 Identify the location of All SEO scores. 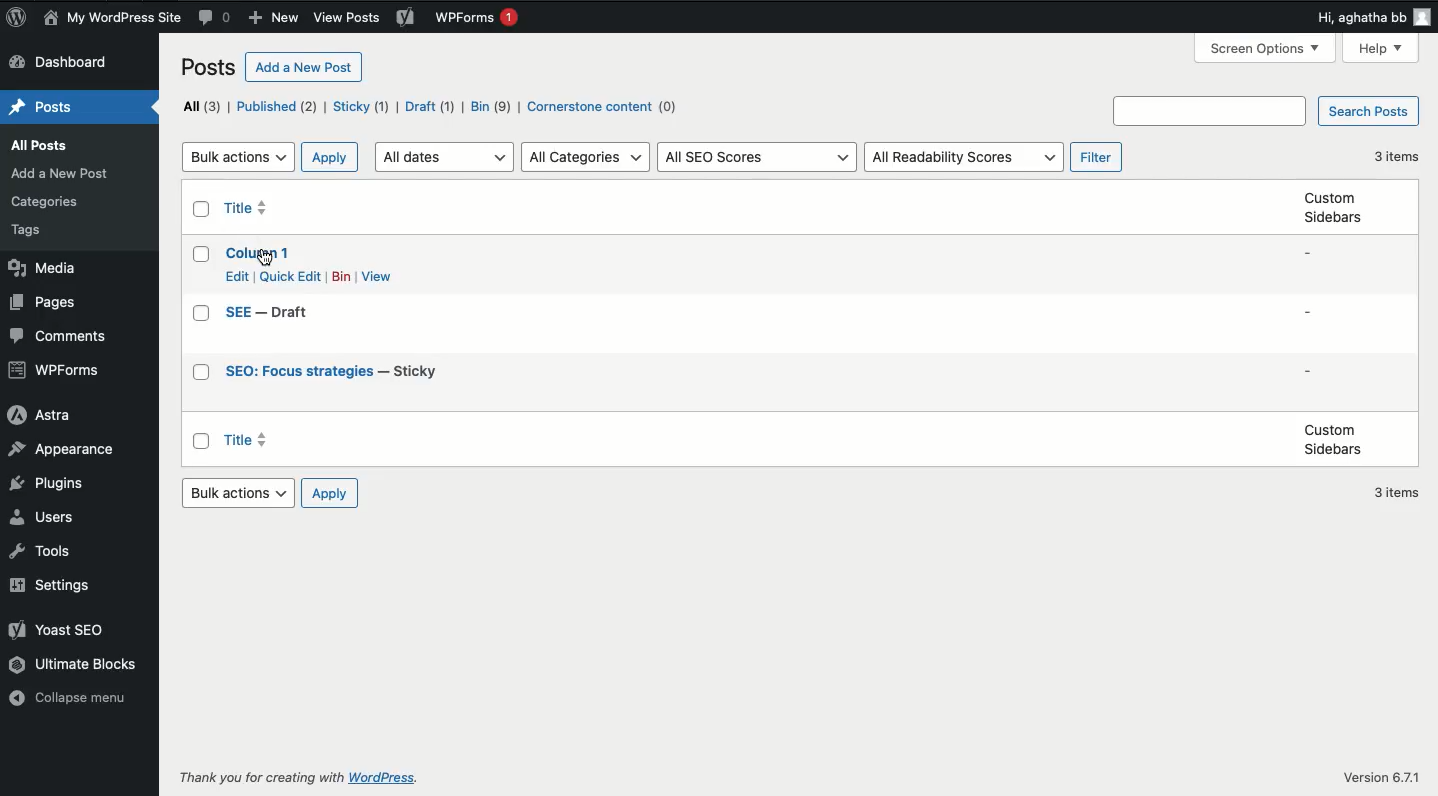
(758, 158).